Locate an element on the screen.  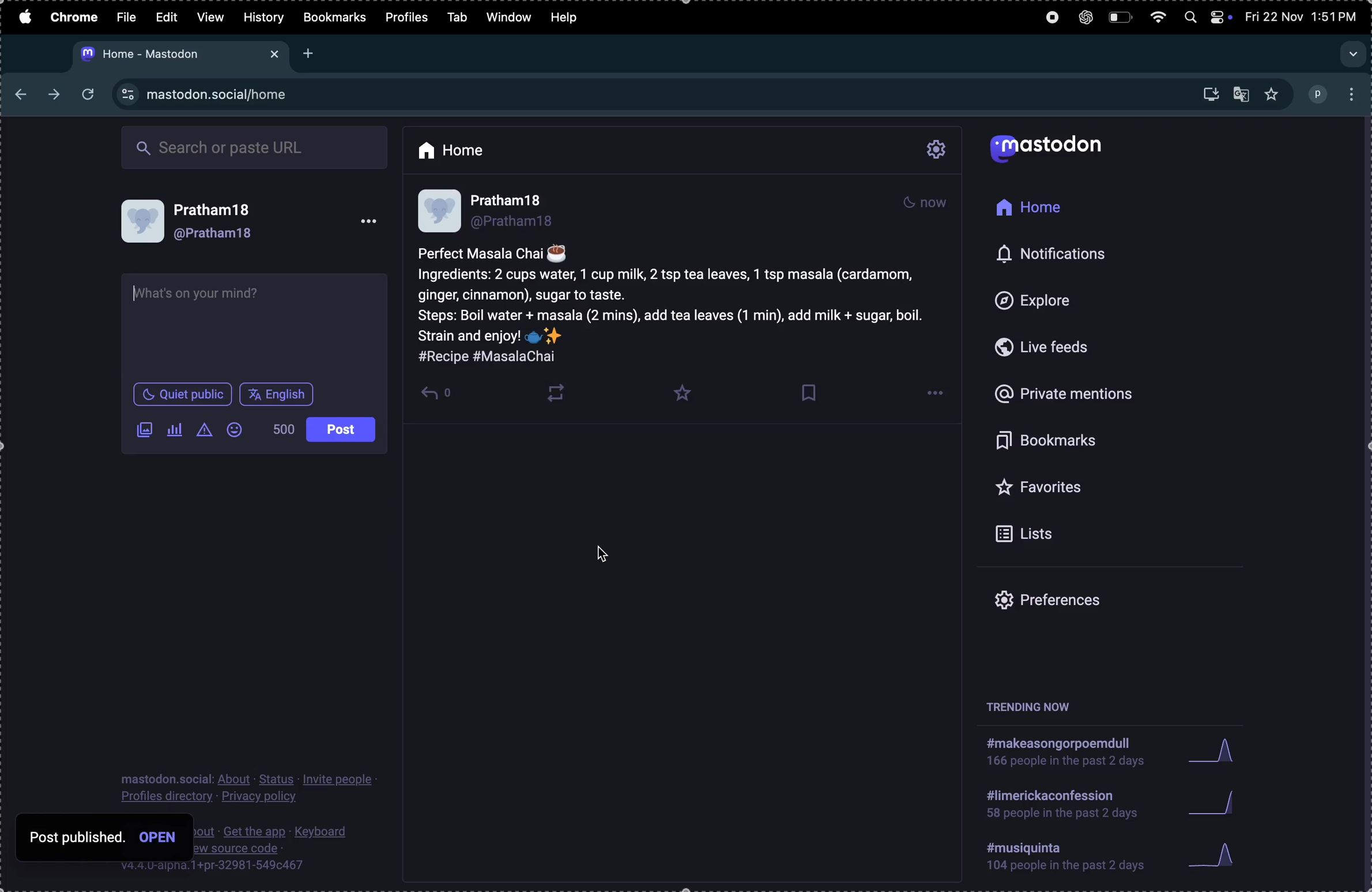
back is located at coordinates (23, 94).